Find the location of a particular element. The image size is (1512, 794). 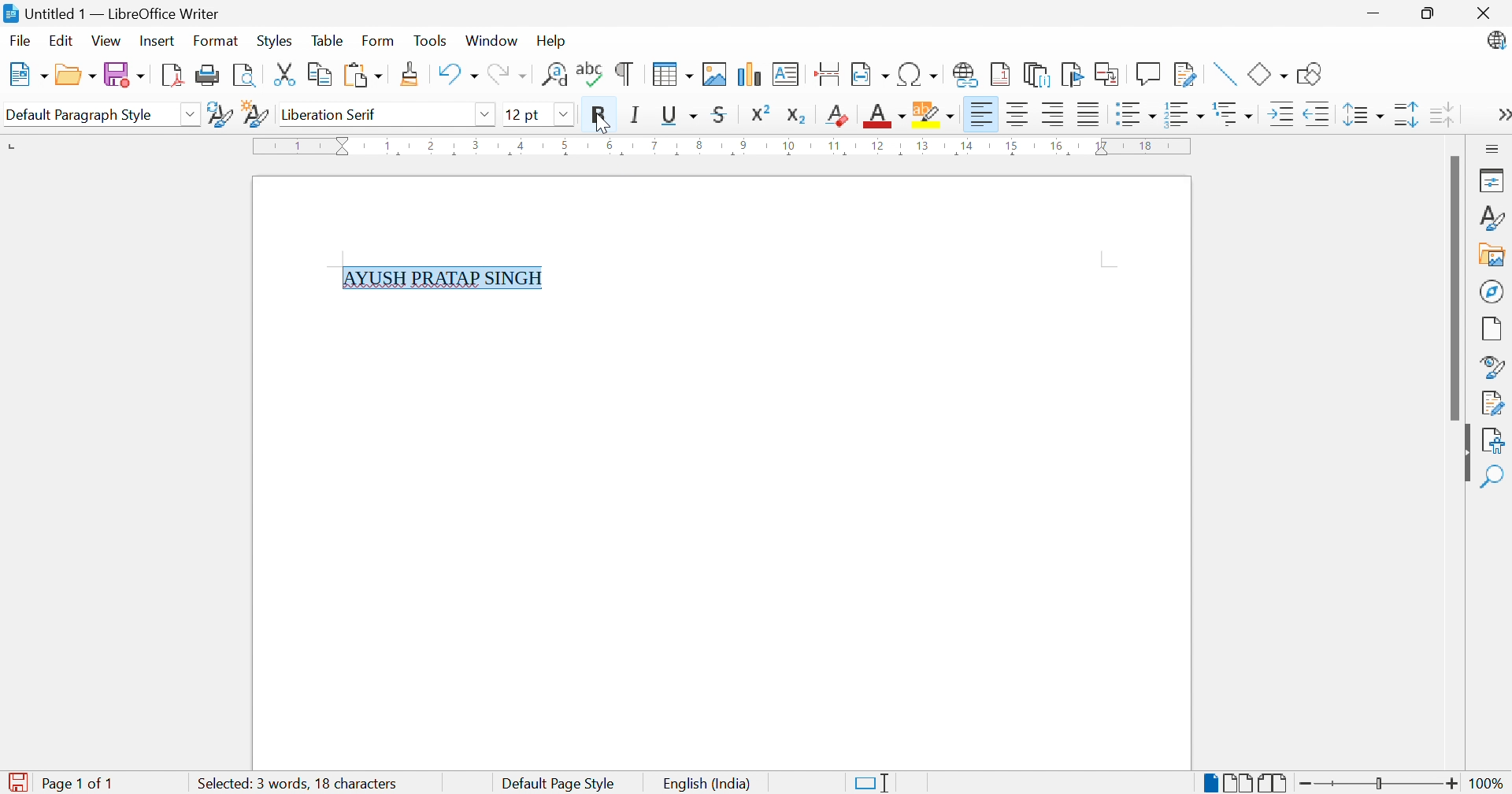

Increase Indent is located at coordinates (1281, 114).